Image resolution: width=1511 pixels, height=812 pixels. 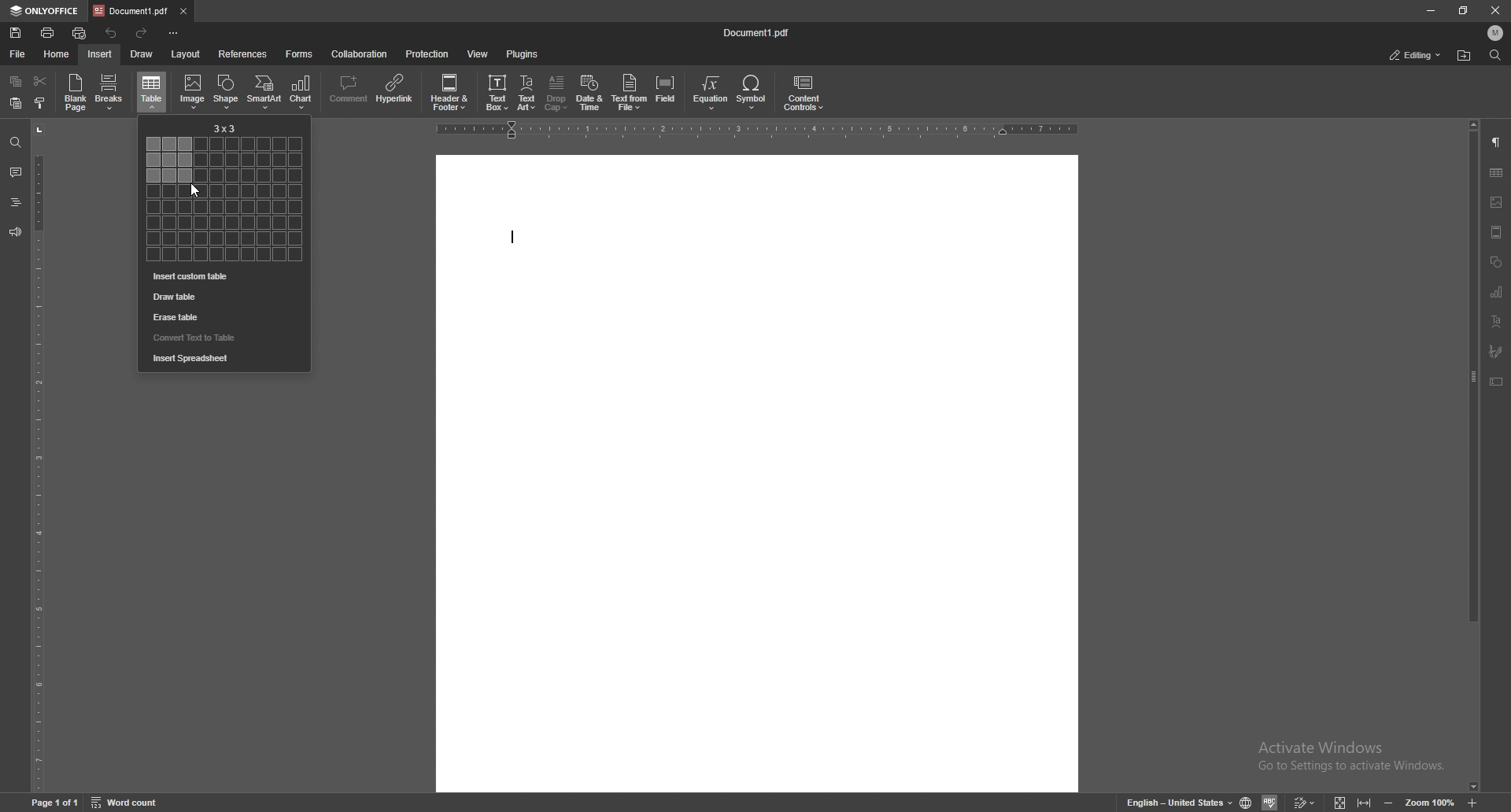 What do you see at coordinates (395, 91) in the screenshot?
I see `hyperlink` at bounding box center [395, 91].